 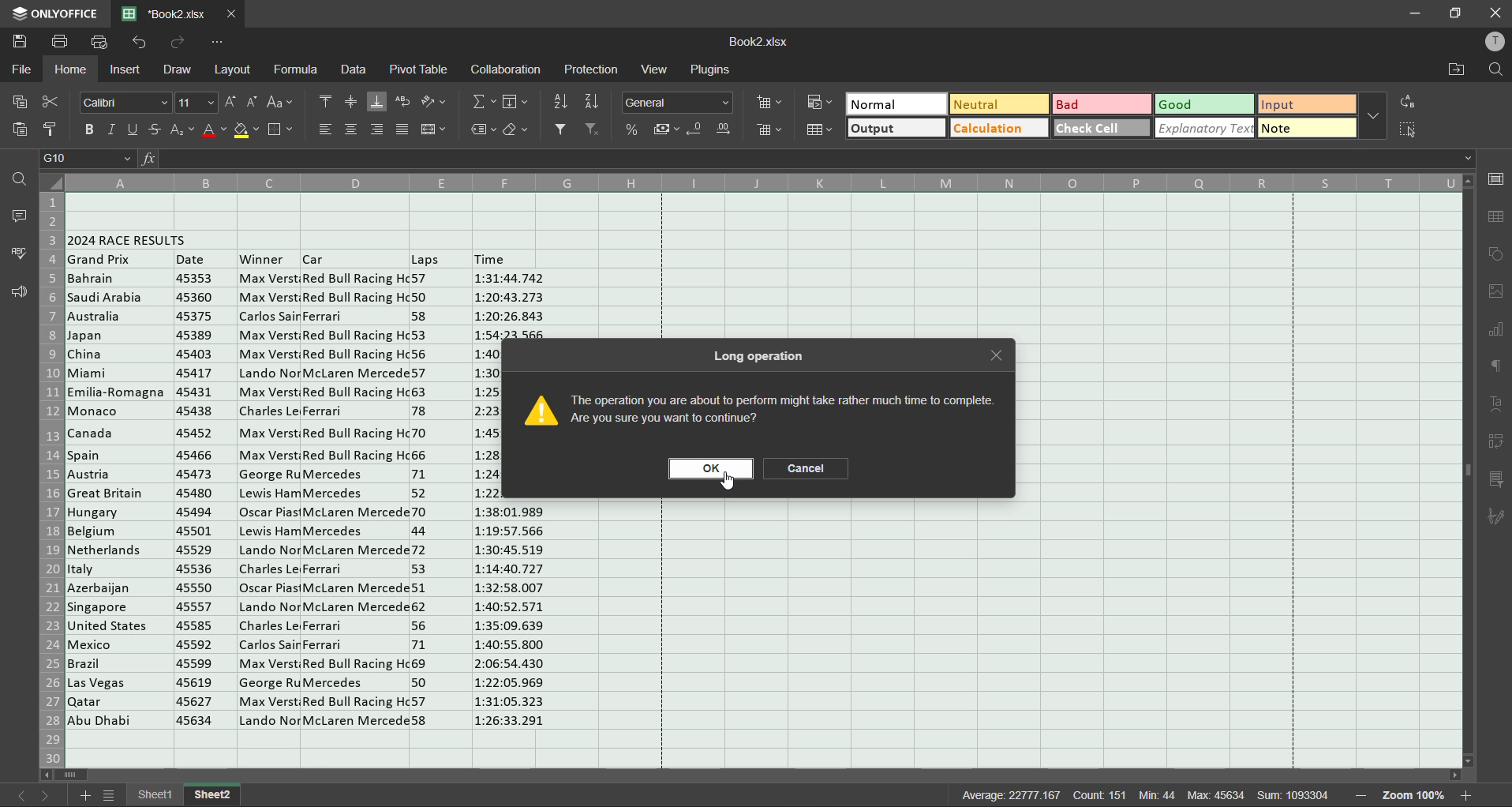 What do you see at coordinates (118, 501) in the screenshot?
I see `Countries ` at bounding box center [118, 501].